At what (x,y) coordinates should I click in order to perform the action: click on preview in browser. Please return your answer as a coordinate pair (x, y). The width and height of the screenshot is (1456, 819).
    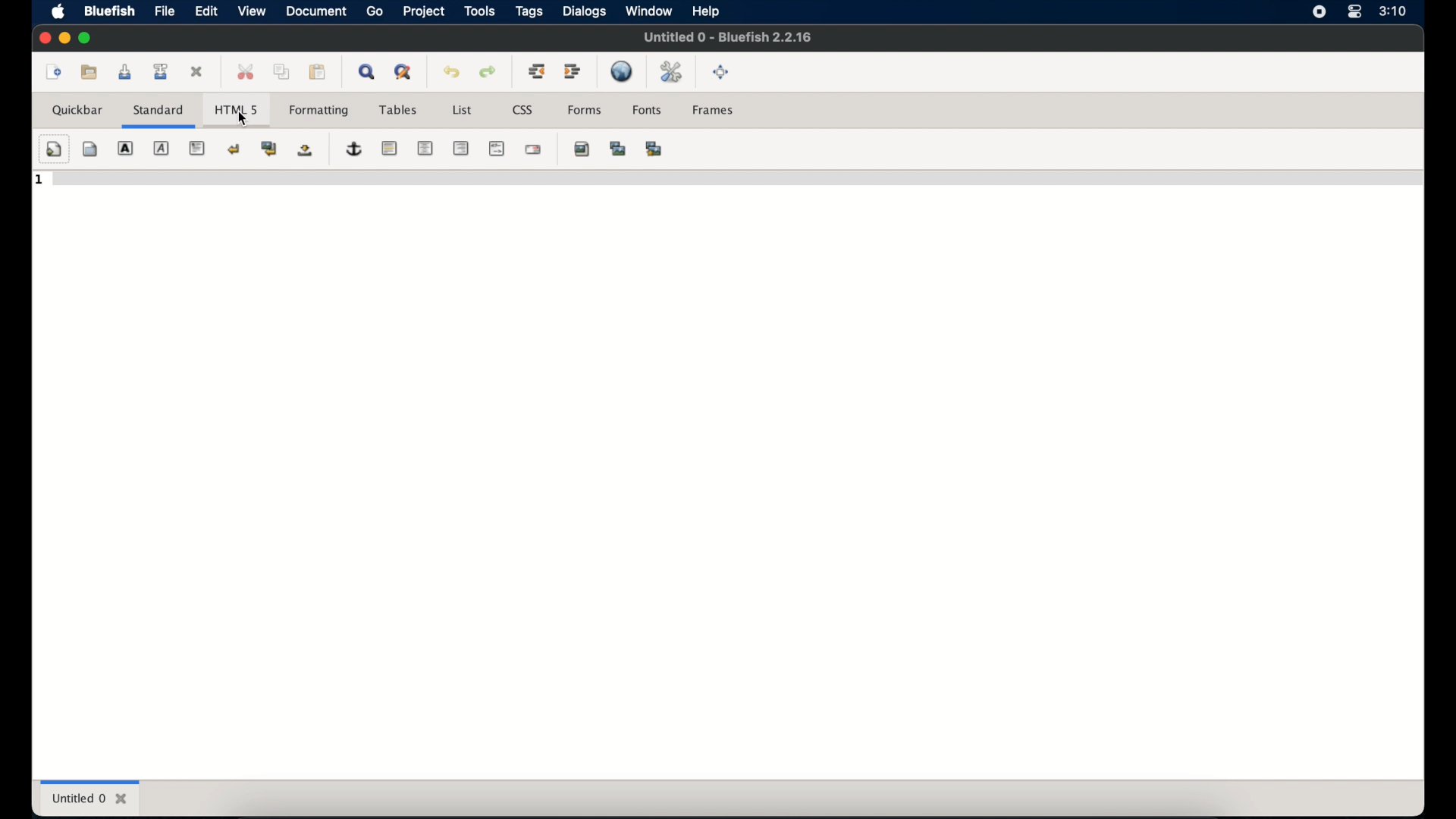
    Looking at the image, I should click on (623, 71).